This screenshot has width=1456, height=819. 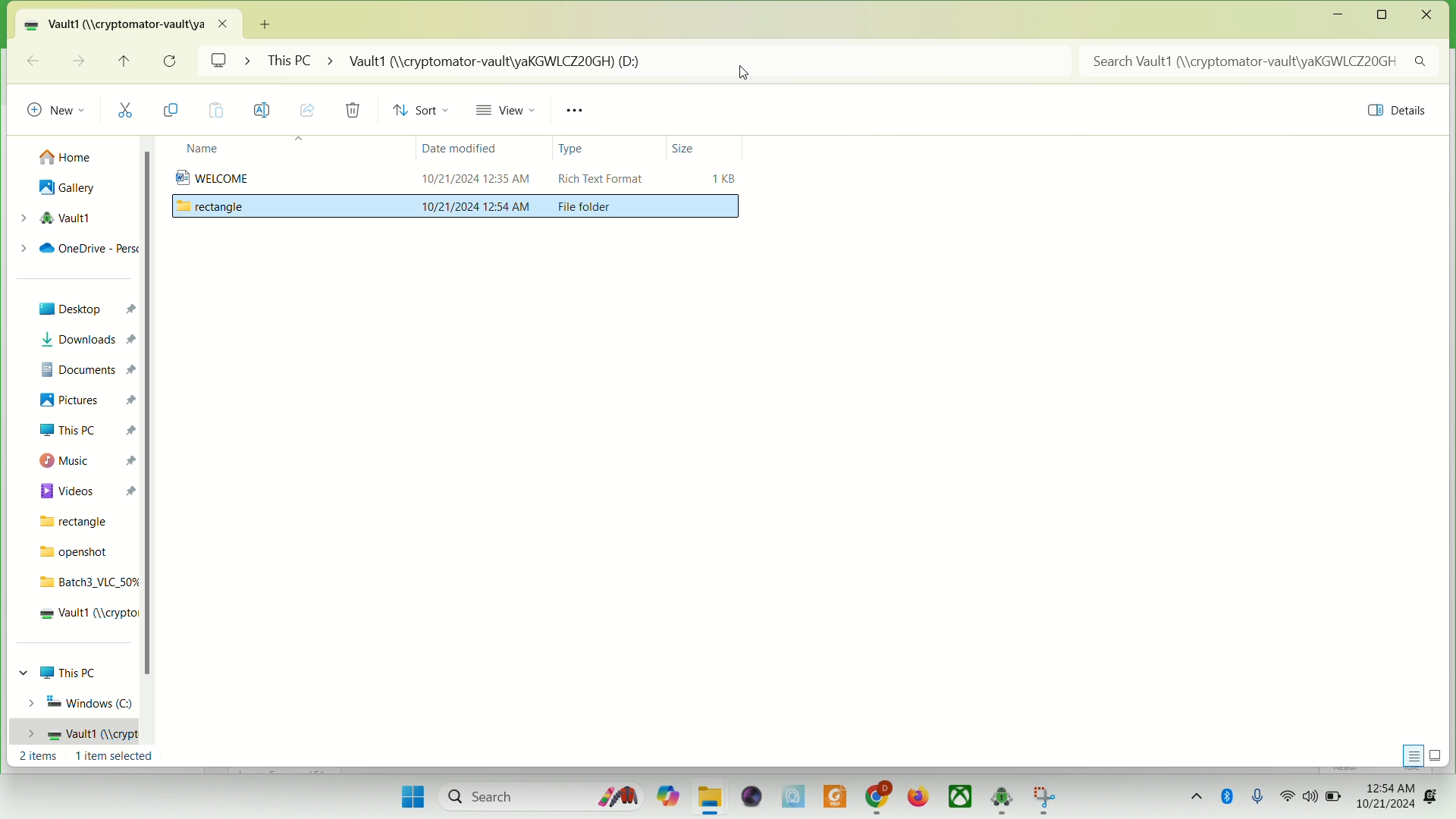 I want to click on date modified, so click(x=457, y=151).